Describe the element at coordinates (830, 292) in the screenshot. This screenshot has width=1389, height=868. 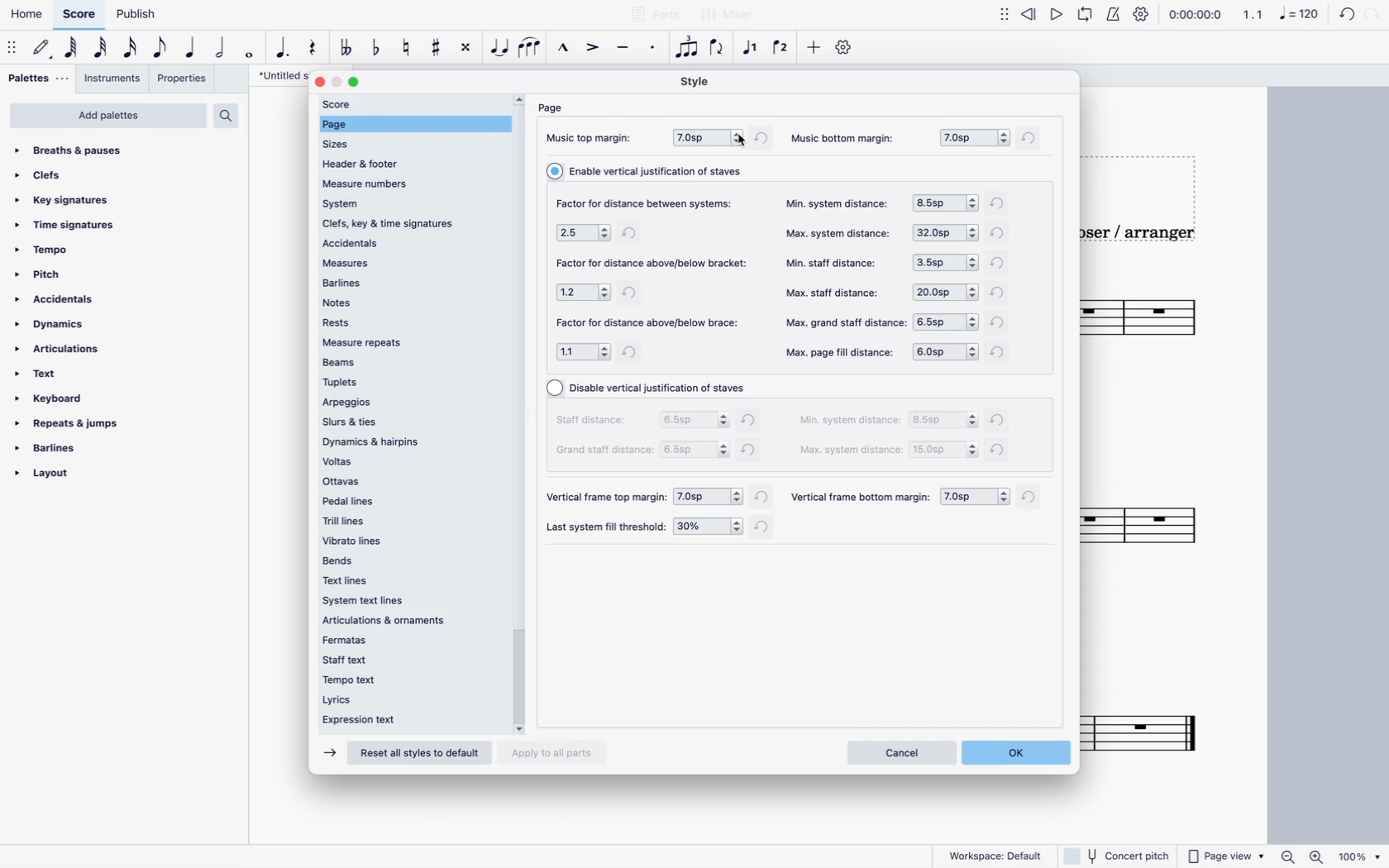
I see `max staff distance` at that location.